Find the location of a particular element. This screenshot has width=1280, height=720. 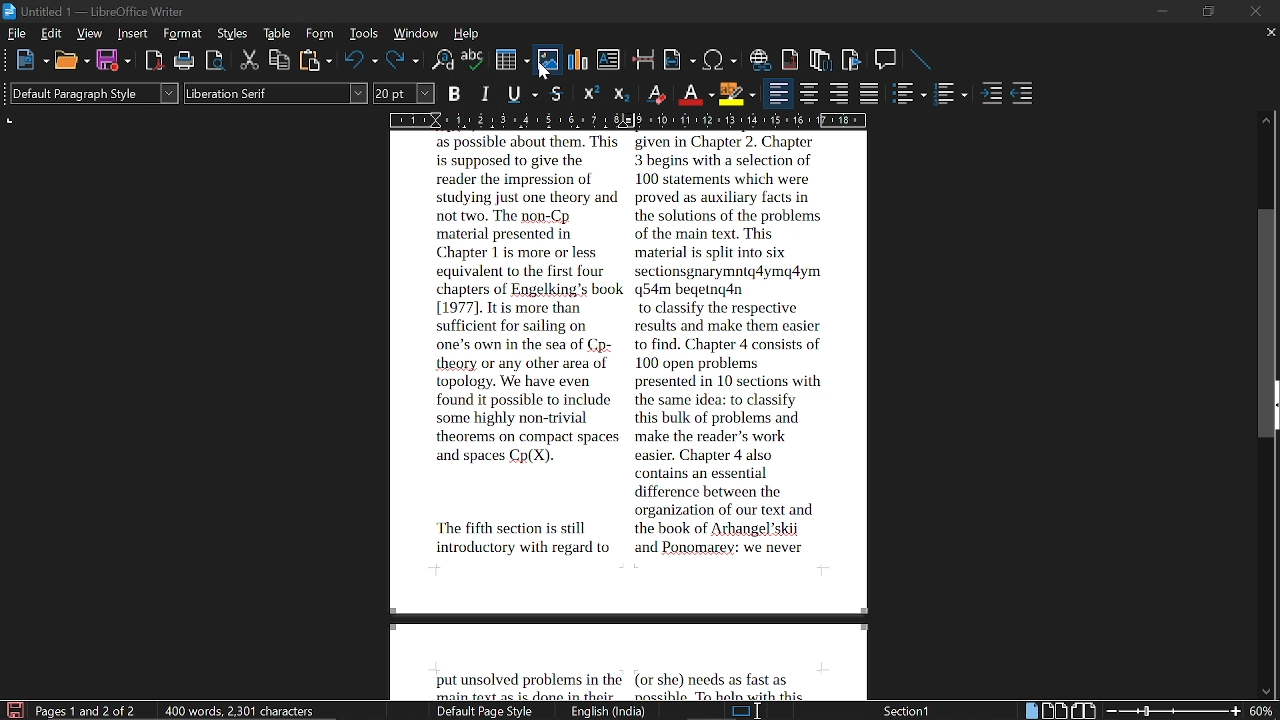

insert is located at coordinates (134, 34).